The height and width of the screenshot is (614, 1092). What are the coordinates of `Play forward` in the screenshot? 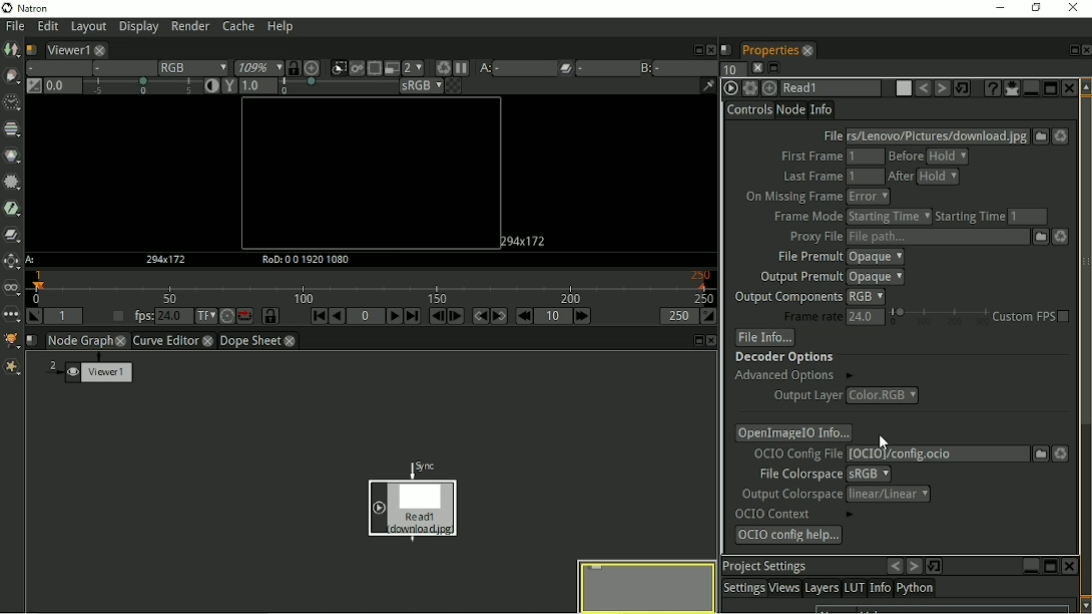 It's located at (391, 316).